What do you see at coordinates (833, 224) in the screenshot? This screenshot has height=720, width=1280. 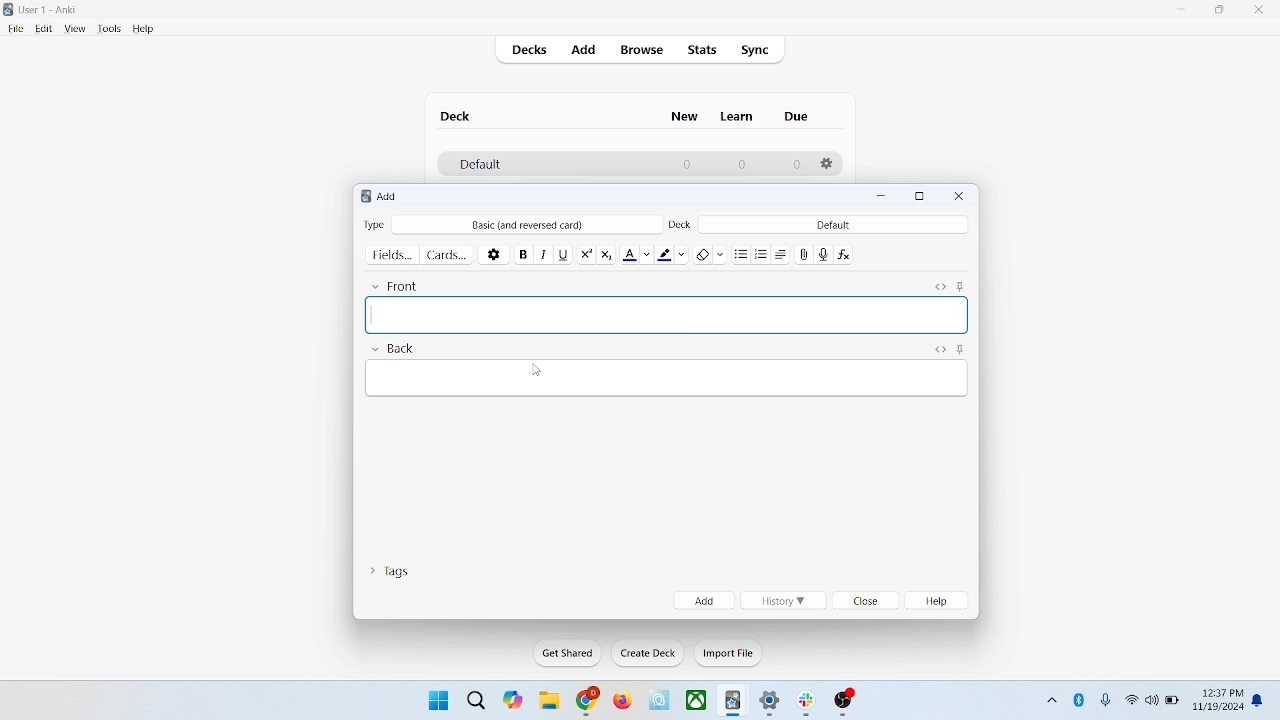 I see `default` at bounding box center [833, 224].